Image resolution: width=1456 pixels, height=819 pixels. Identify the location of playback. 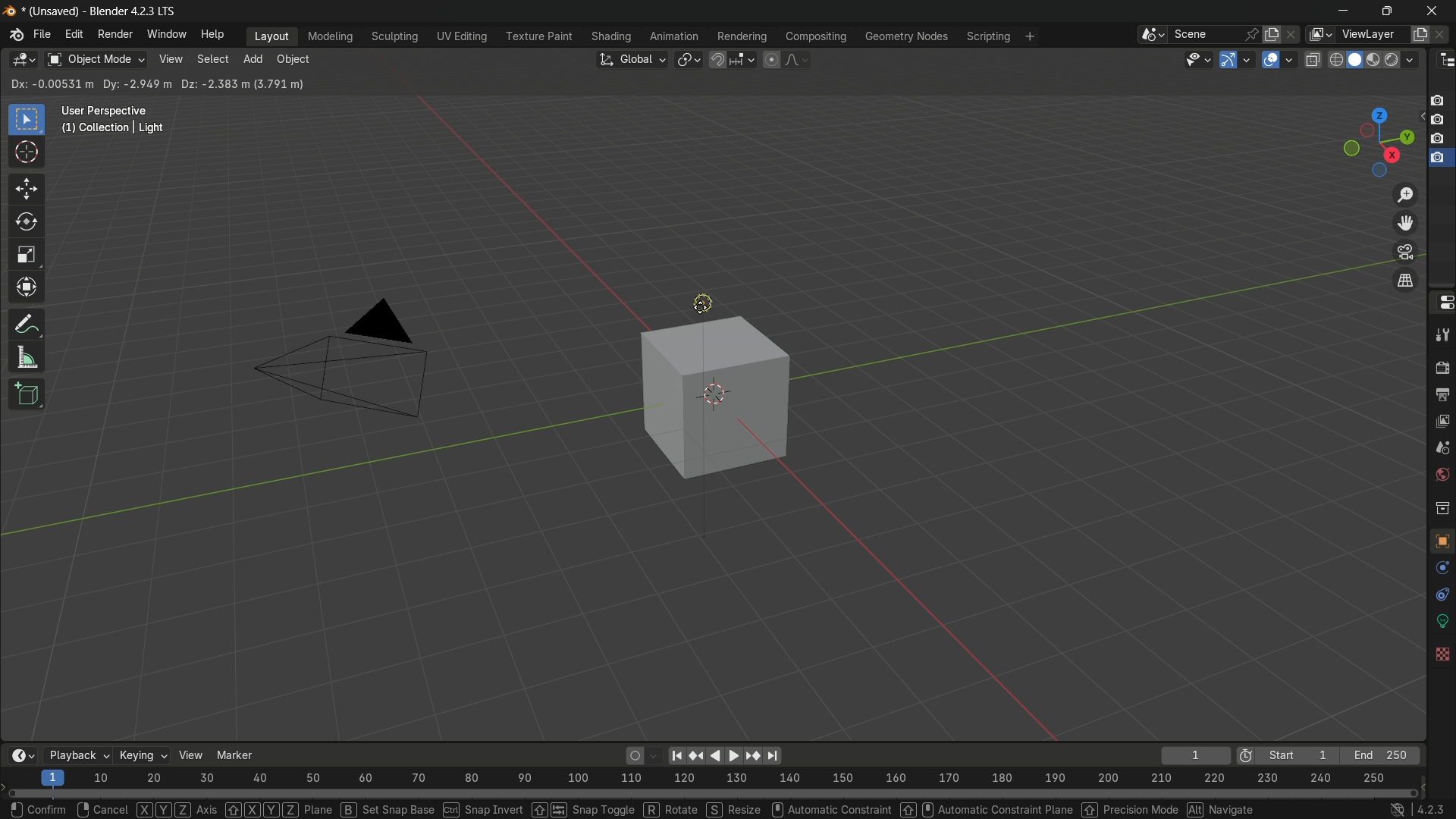
(76, 755).